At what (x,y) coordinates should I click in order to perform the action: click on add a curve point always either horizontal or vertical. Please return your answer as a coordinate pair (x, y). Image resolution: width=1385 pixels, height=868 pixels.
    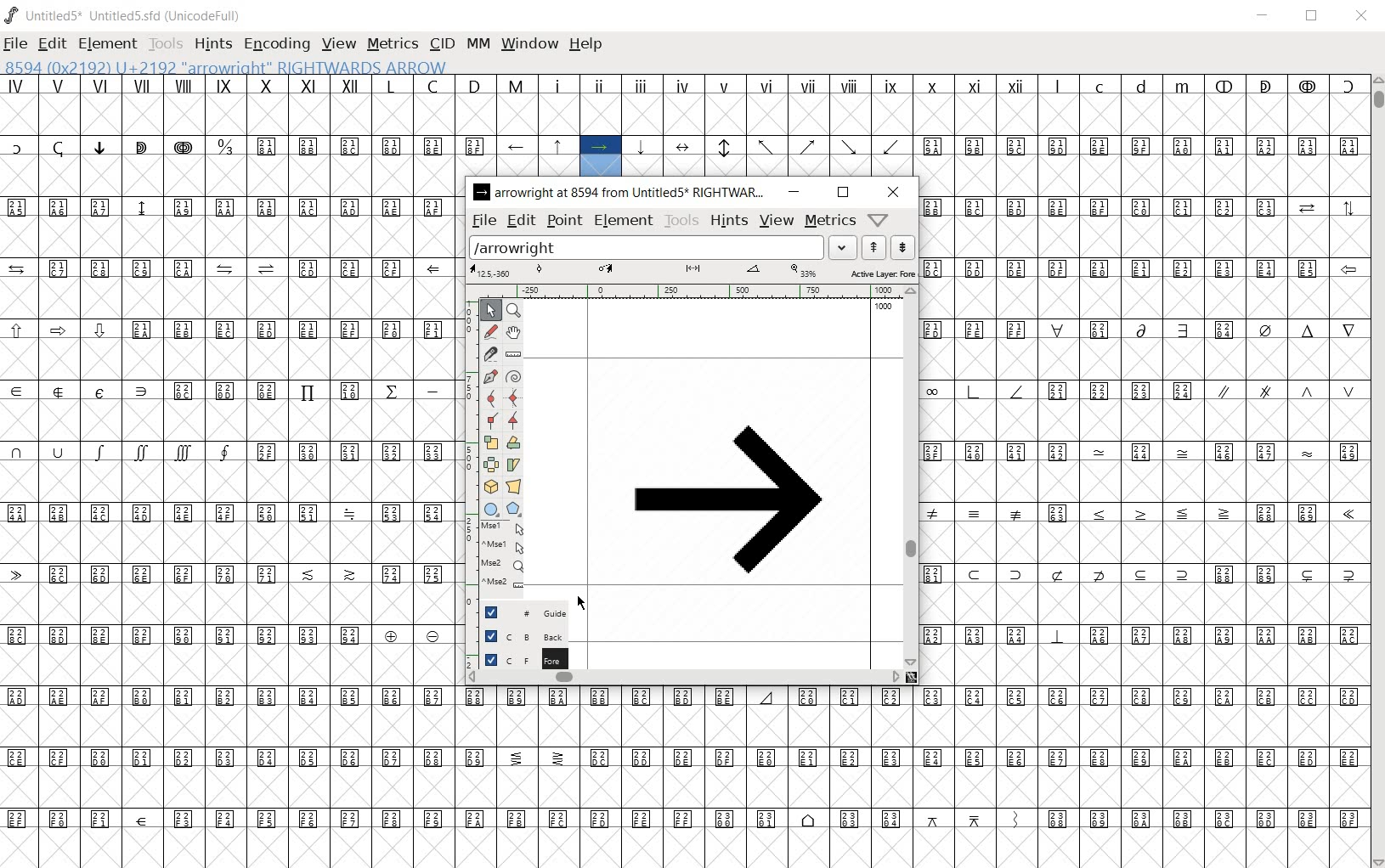
    Looking at the image, I should click on (515, 397).